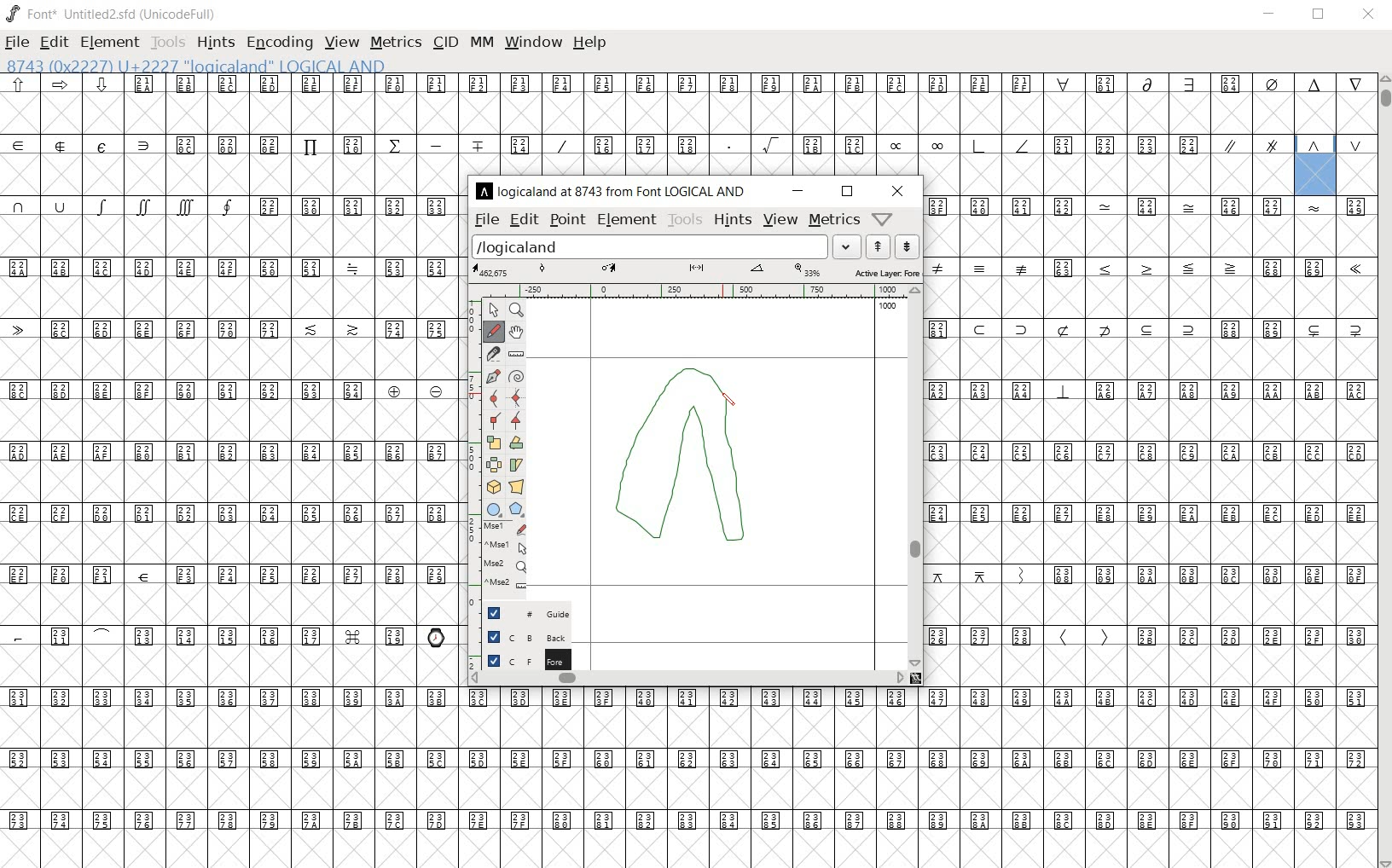 The width and height of the screenshot is (1392, 868). I want to click on hints, so click(216, 44).